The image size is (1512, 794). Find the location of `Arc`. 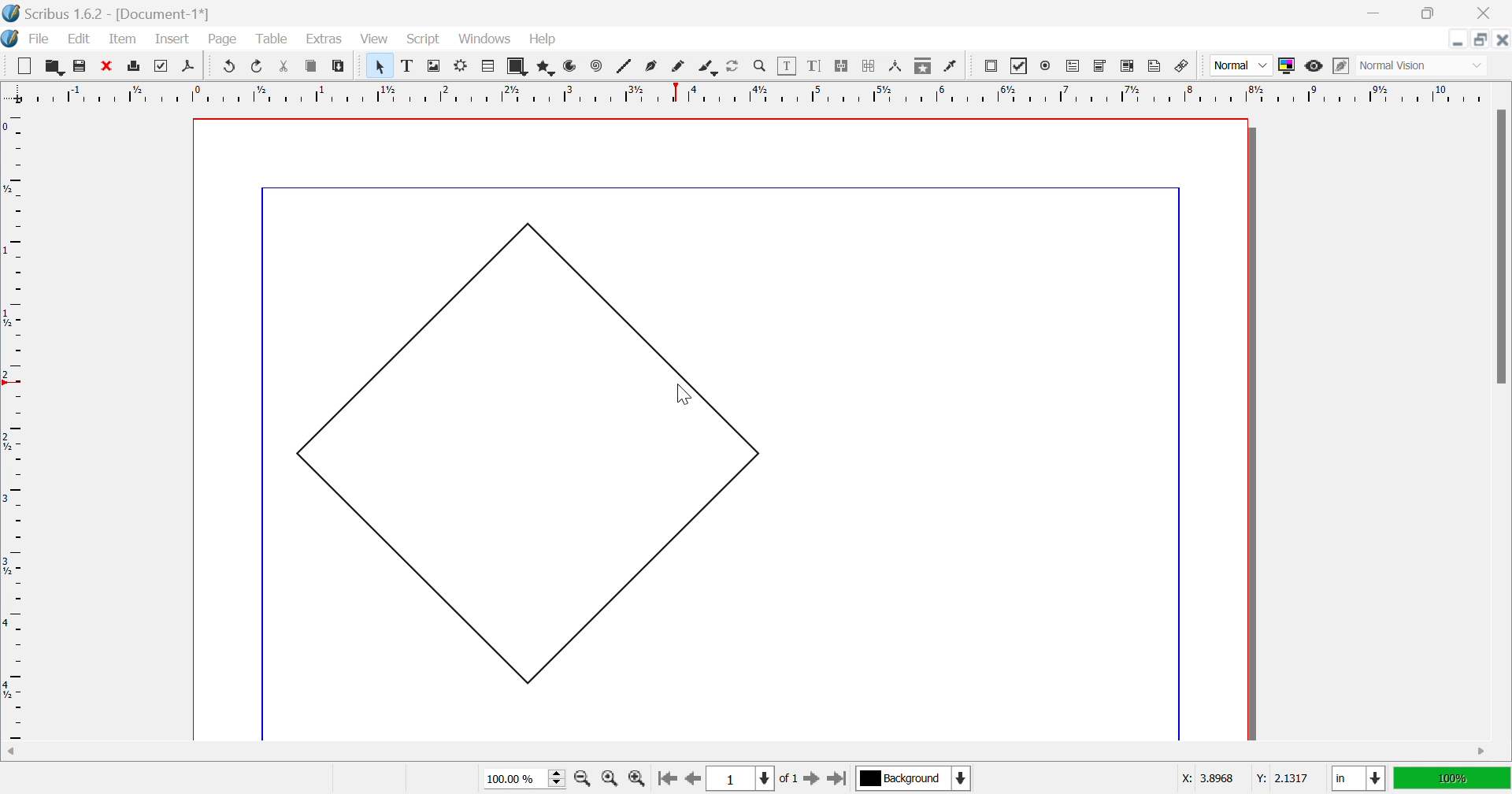

Arc is located at coordinates (570, 65).